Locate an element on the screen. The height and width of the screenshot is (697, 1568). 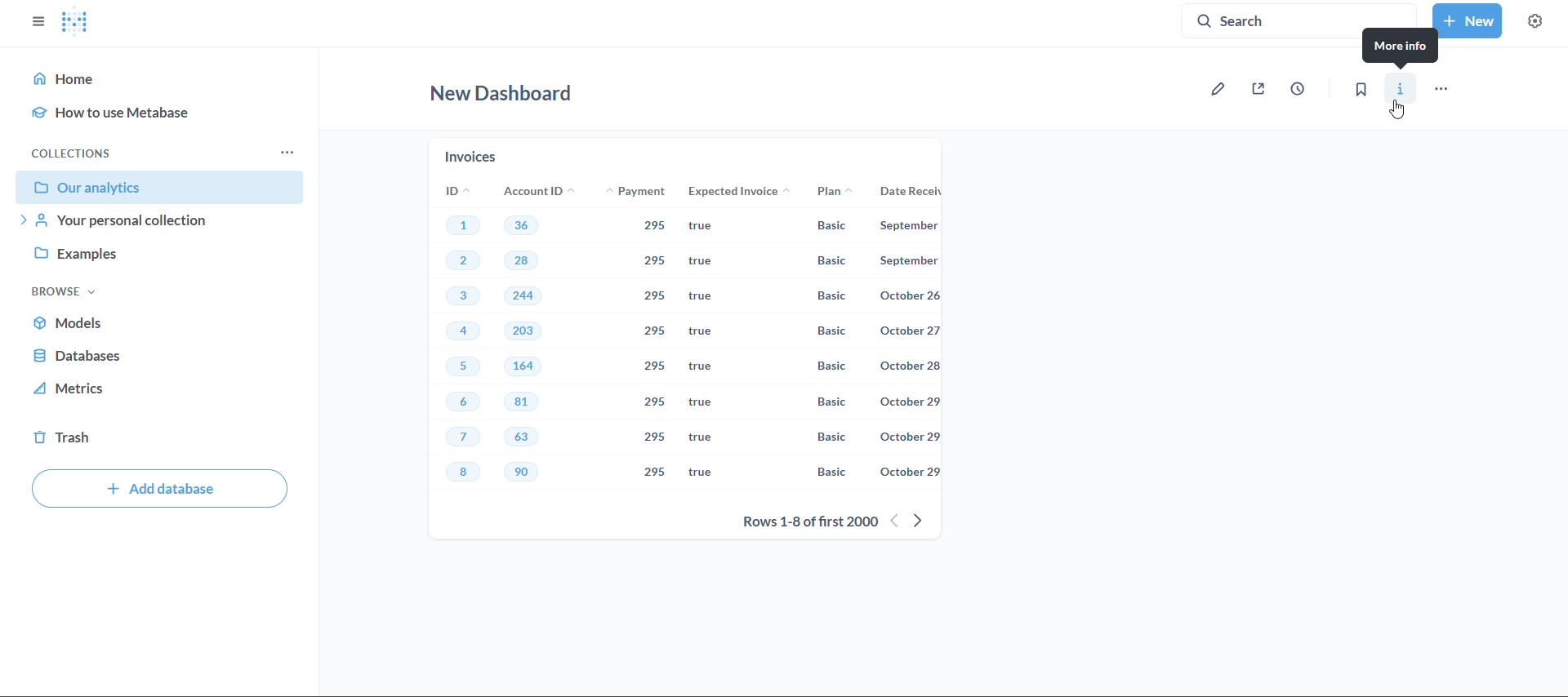
october 26 is located at coordinates (910, 295).